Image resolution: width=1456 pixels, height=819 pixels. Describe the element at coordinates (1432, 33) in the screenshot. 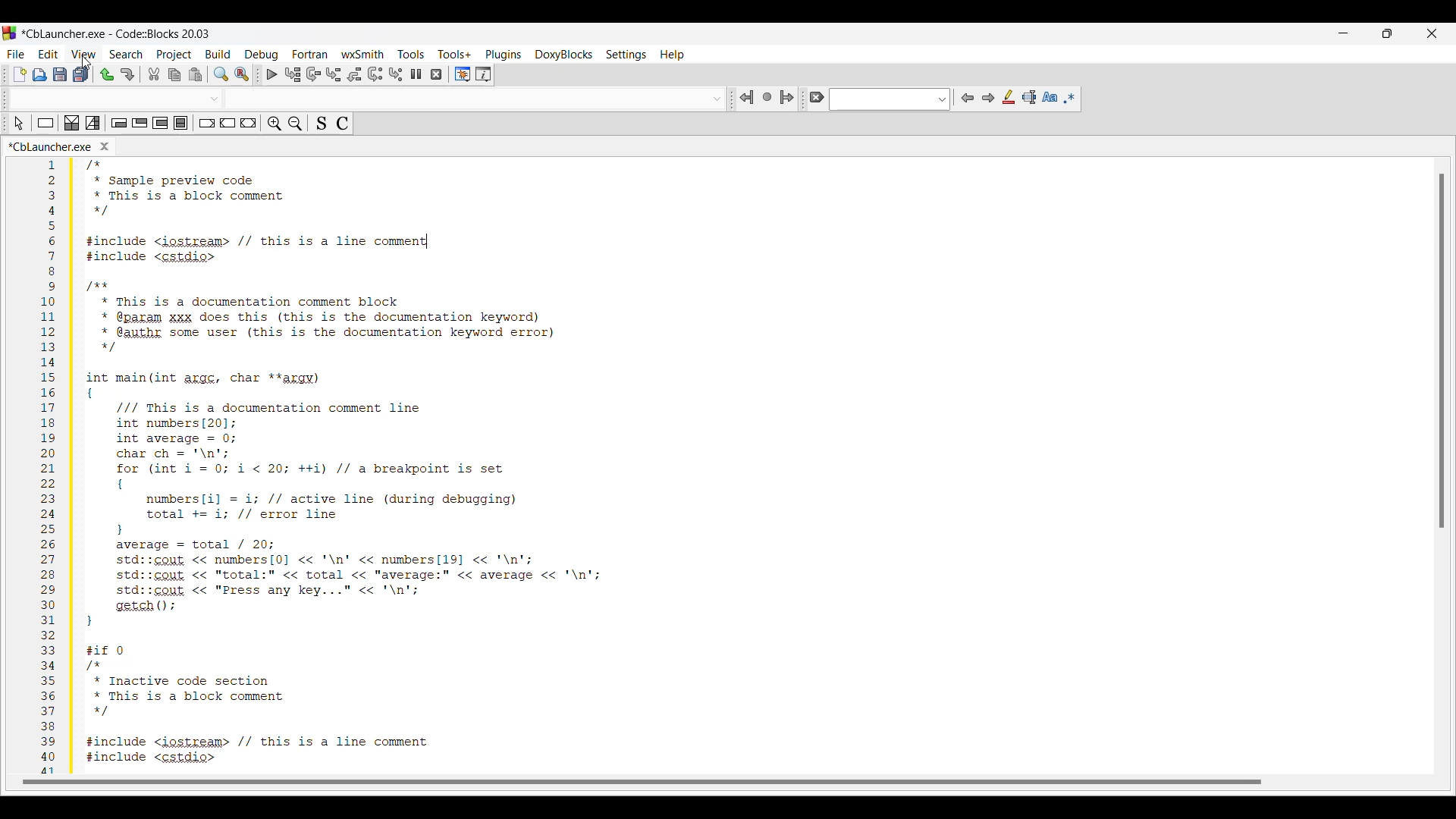

I see `Close interface` at that location.